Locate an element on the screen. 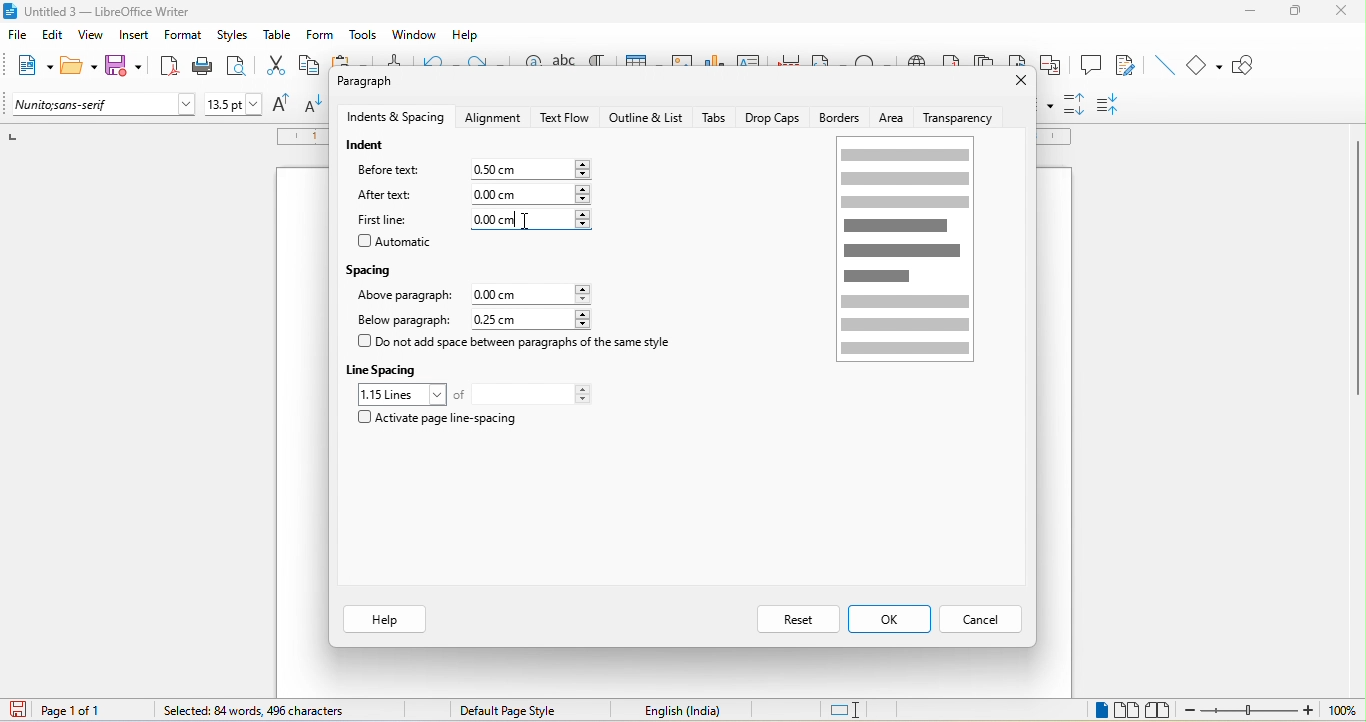 The height and width of the screenshot is (722, 1366). font size is located at coordinates (234, 105).